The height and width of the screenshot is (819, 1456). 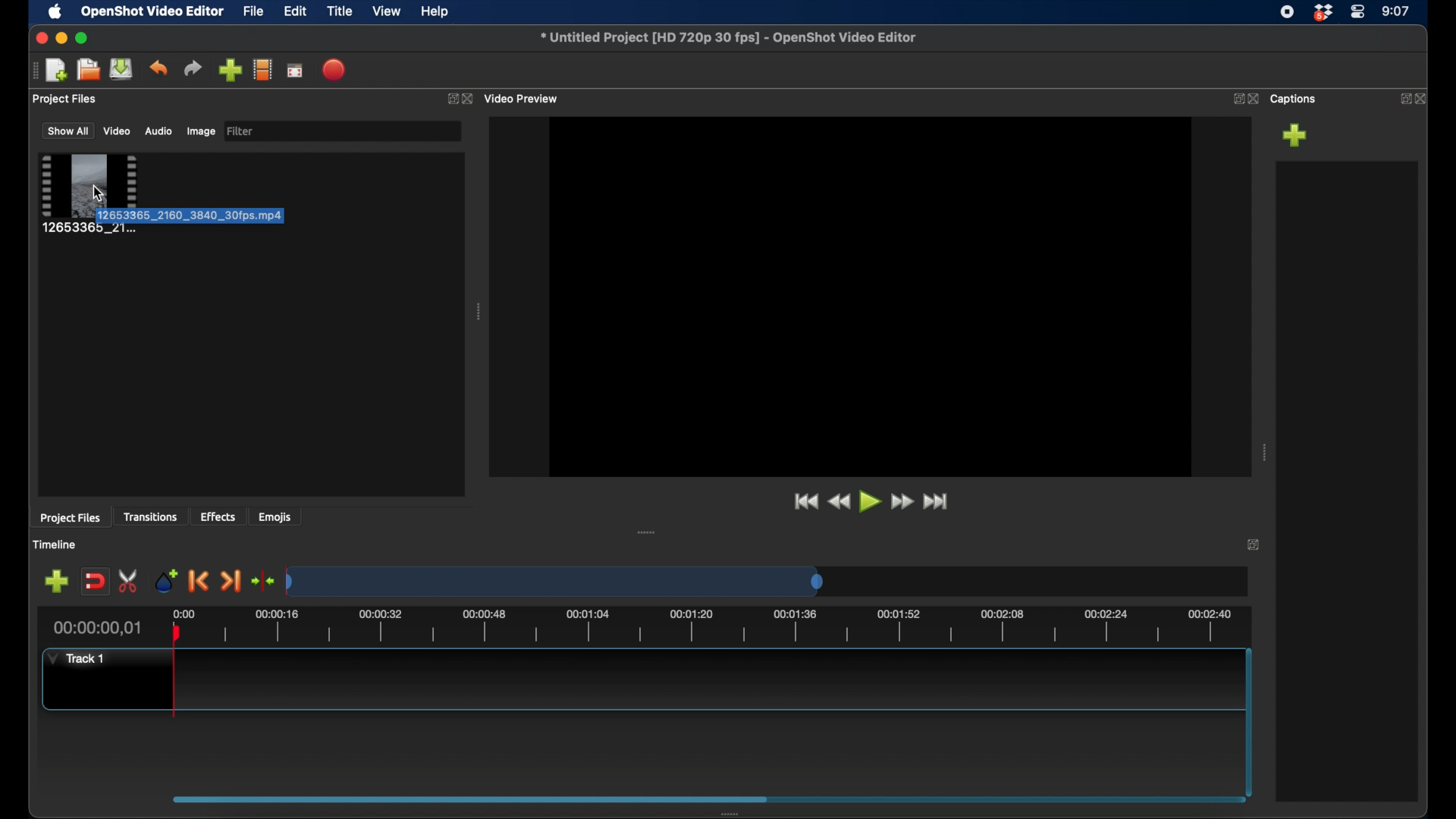 I want to click on previous marker, so click(x=199, y=582).